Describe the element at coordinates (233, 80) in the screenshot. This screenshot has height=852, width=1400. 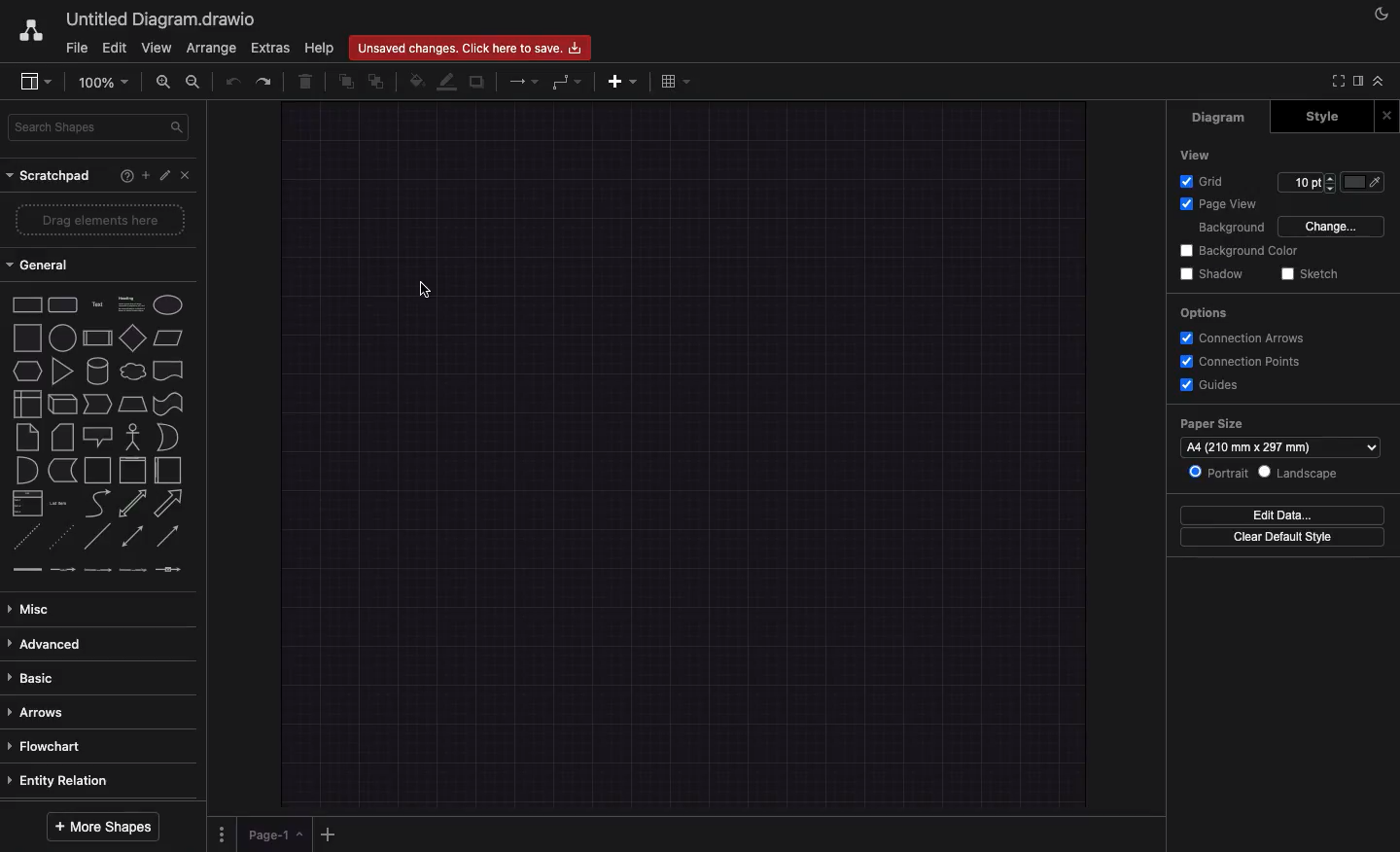
I see `Undo` at that location.